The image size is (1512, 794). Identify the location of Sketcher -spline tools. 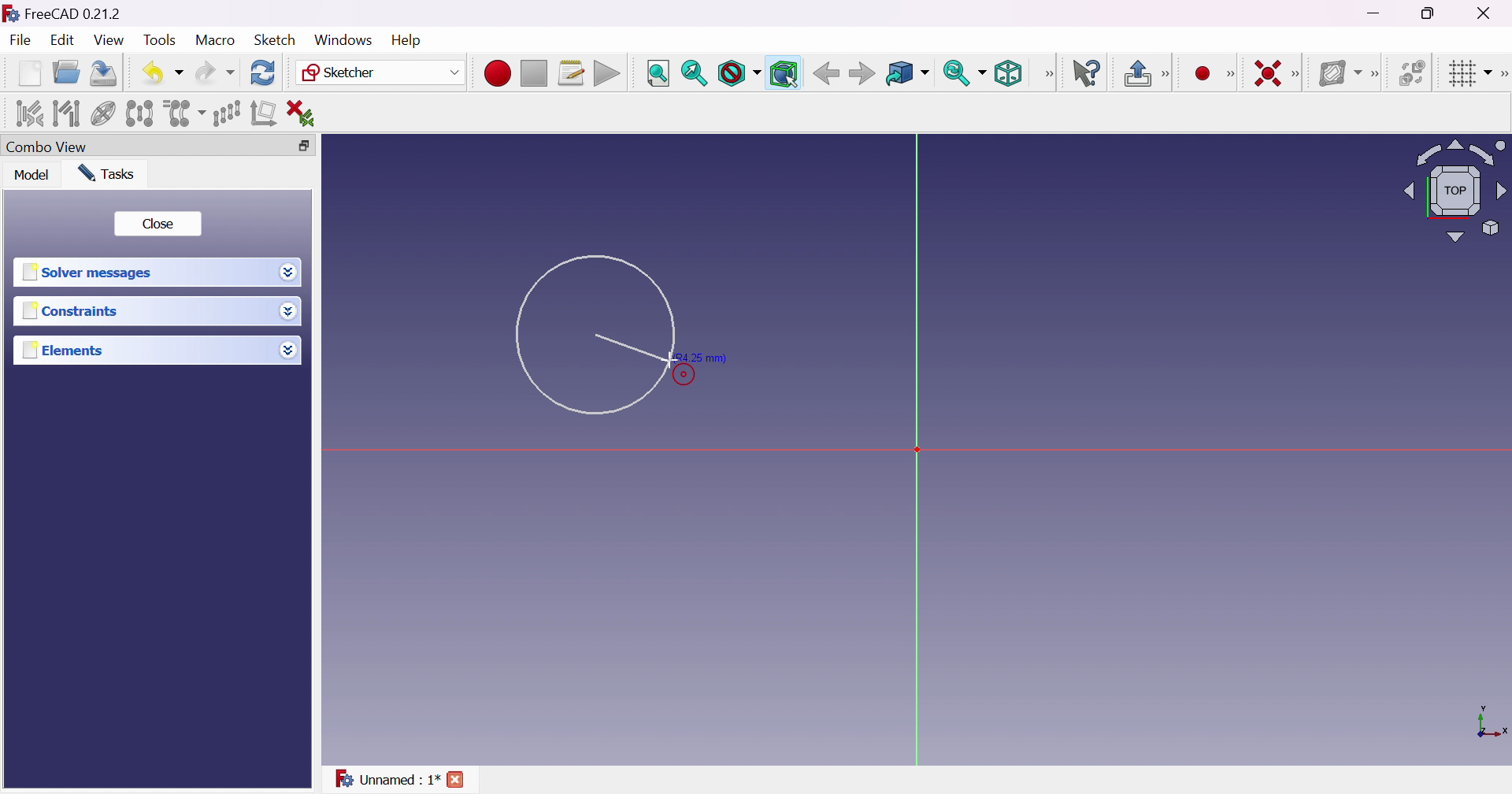
(1377, 75).